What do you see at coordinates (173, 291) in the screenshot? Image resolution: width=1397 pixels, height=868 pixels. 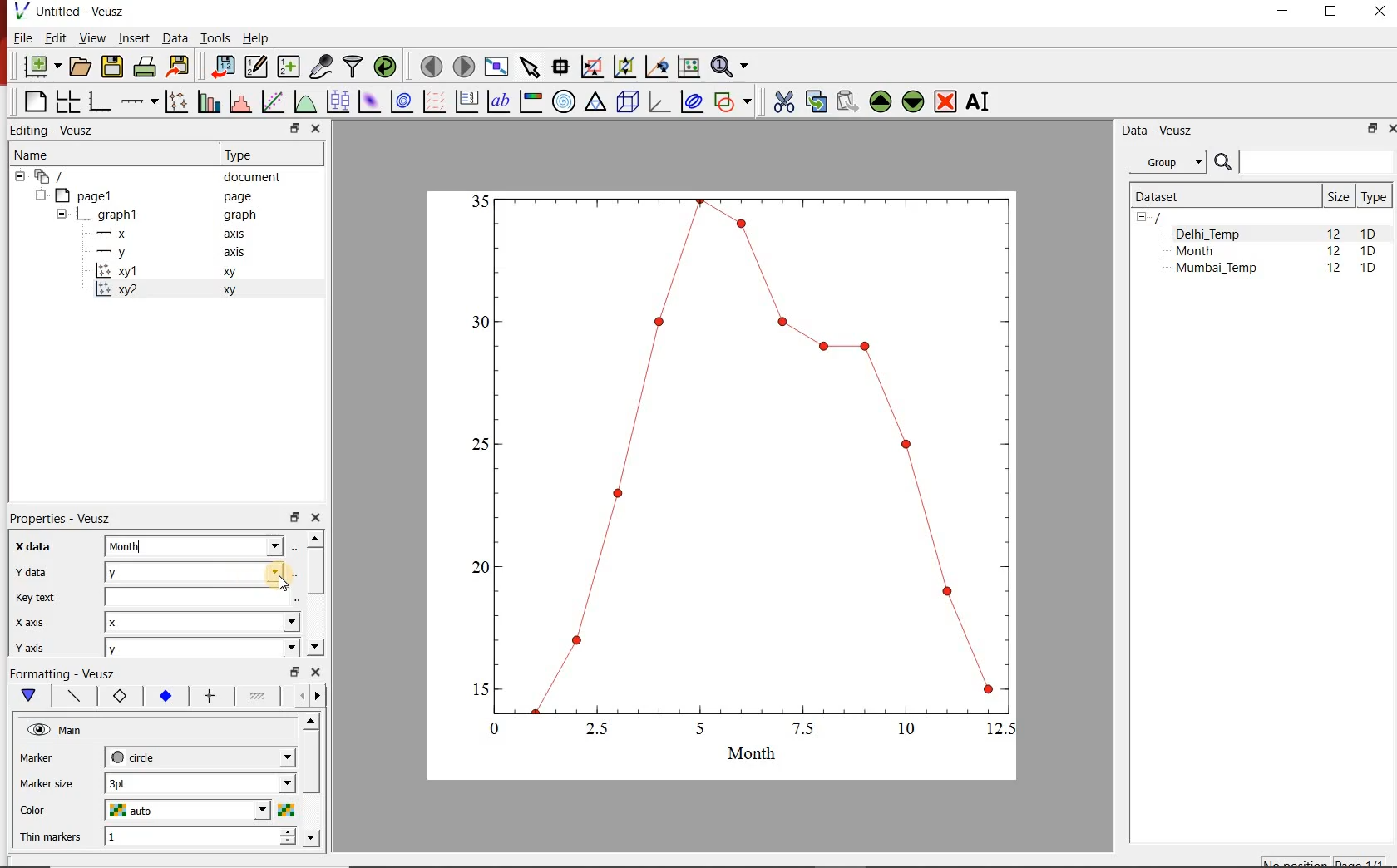 I see `xy2` at bounding box center [173, 291].